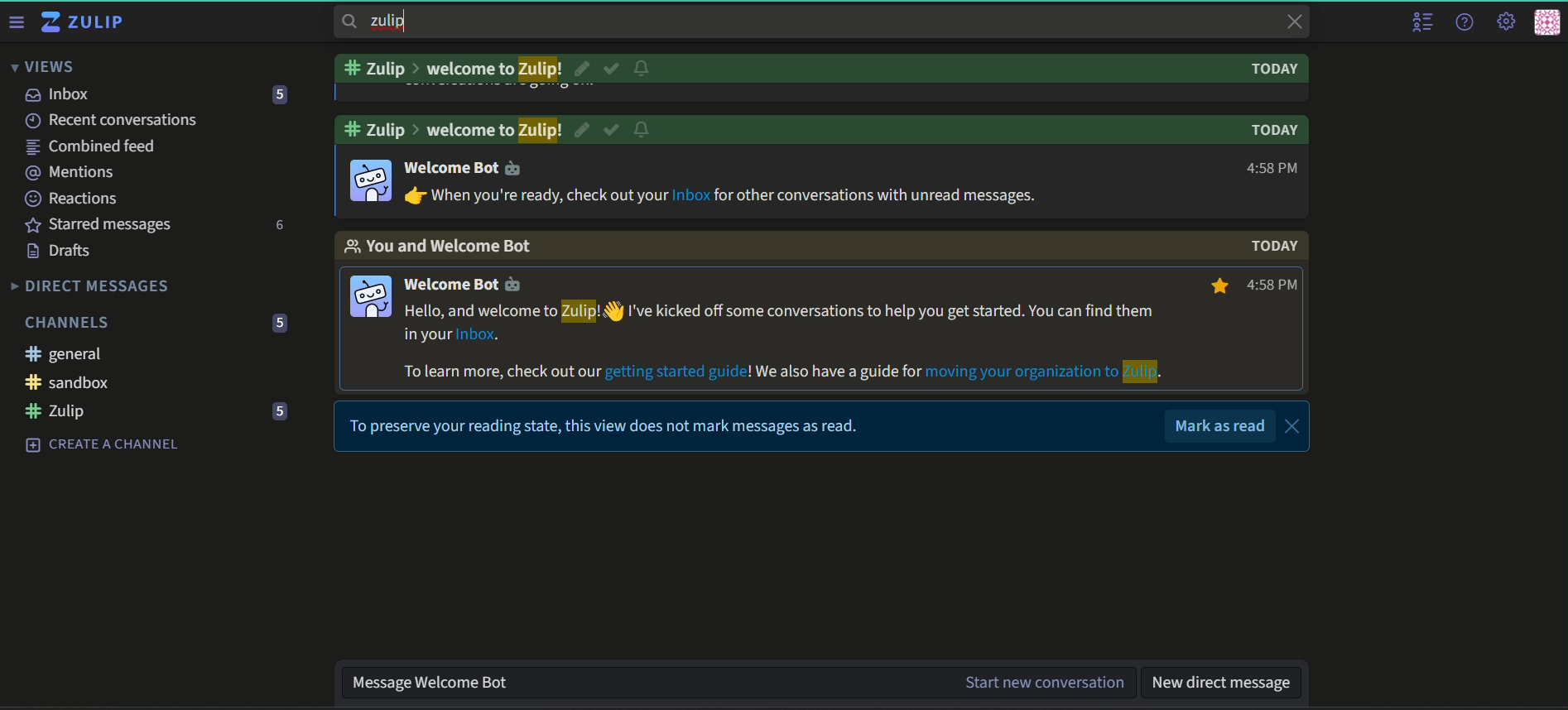 The width and height of the screenshot is (1568, 710). I want to click on main menu, so click(1508, 19).